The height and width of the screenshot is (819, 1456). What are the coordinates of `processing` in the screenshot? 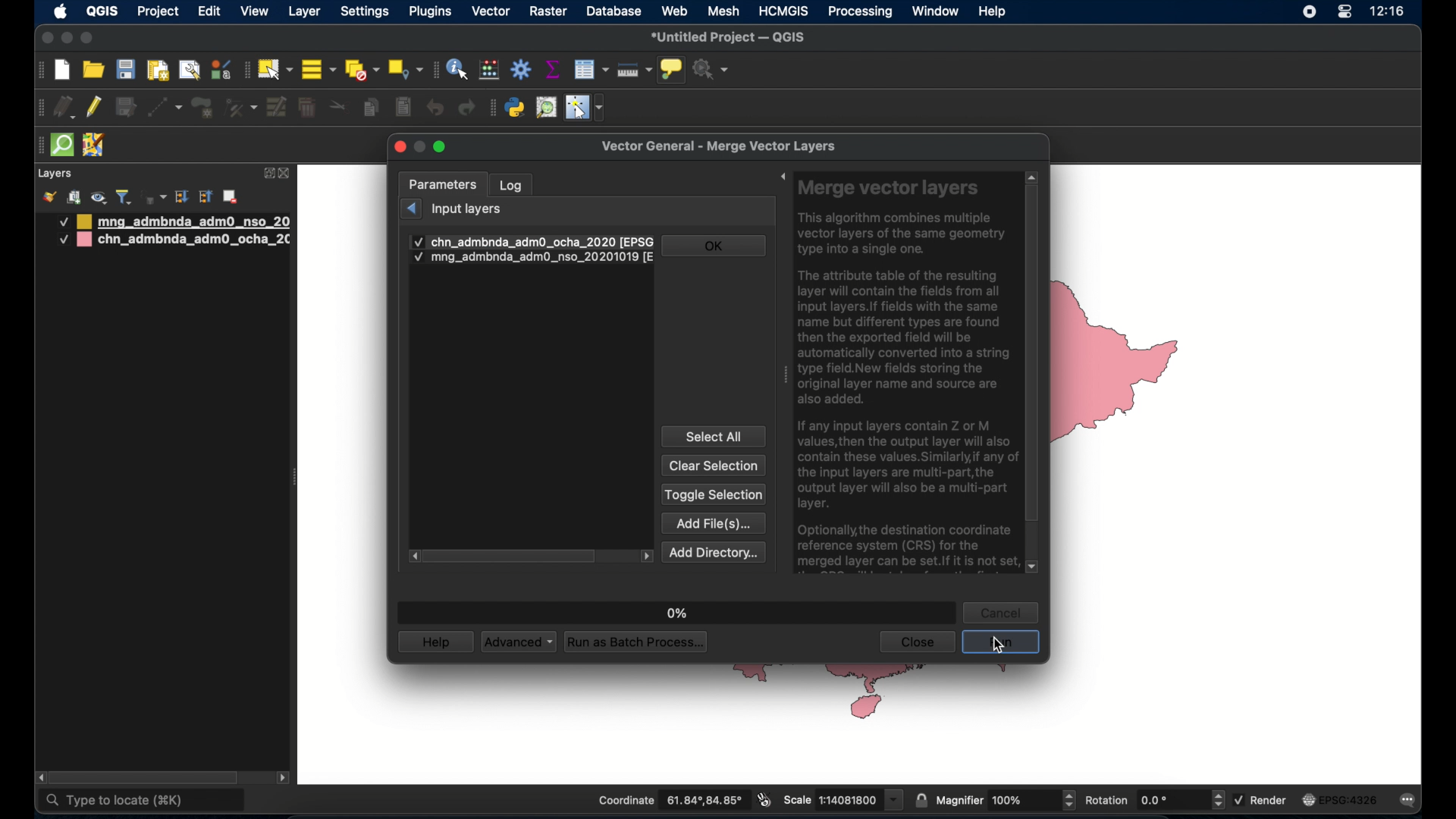 It's located at (861, 13).